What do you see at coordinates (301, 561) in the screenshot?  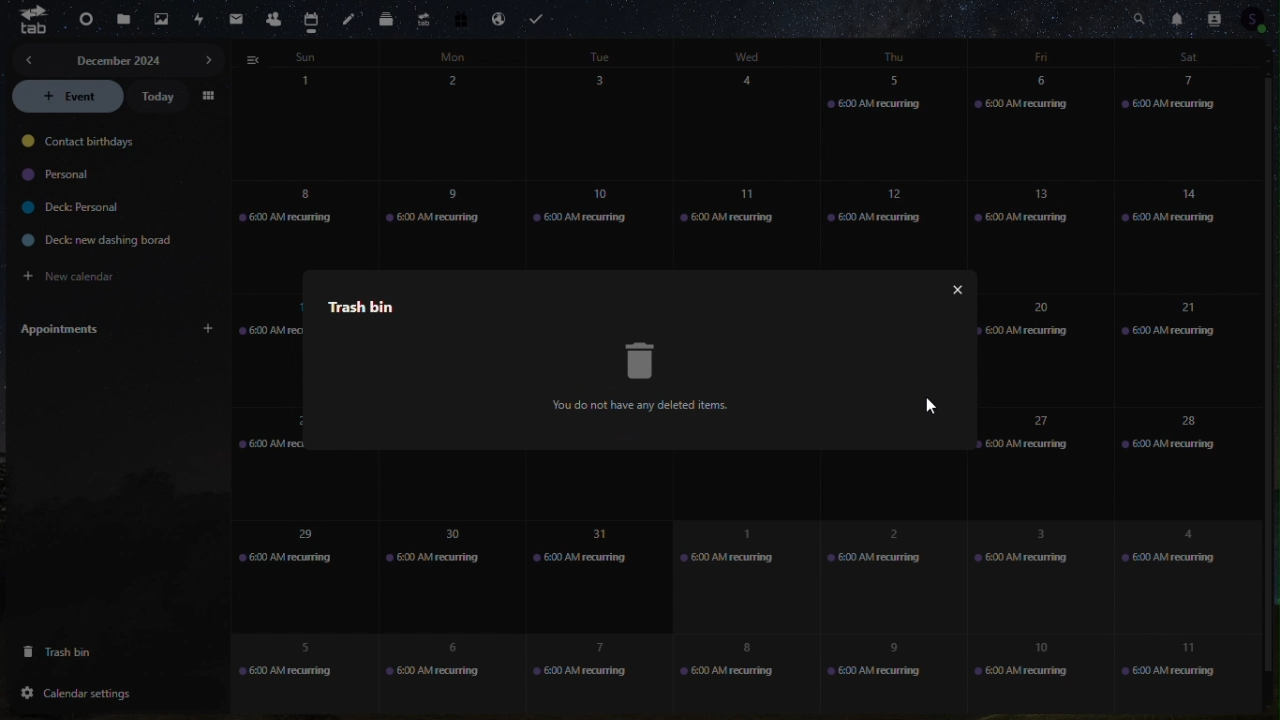 I see `29` at bounding box center [301, 561].